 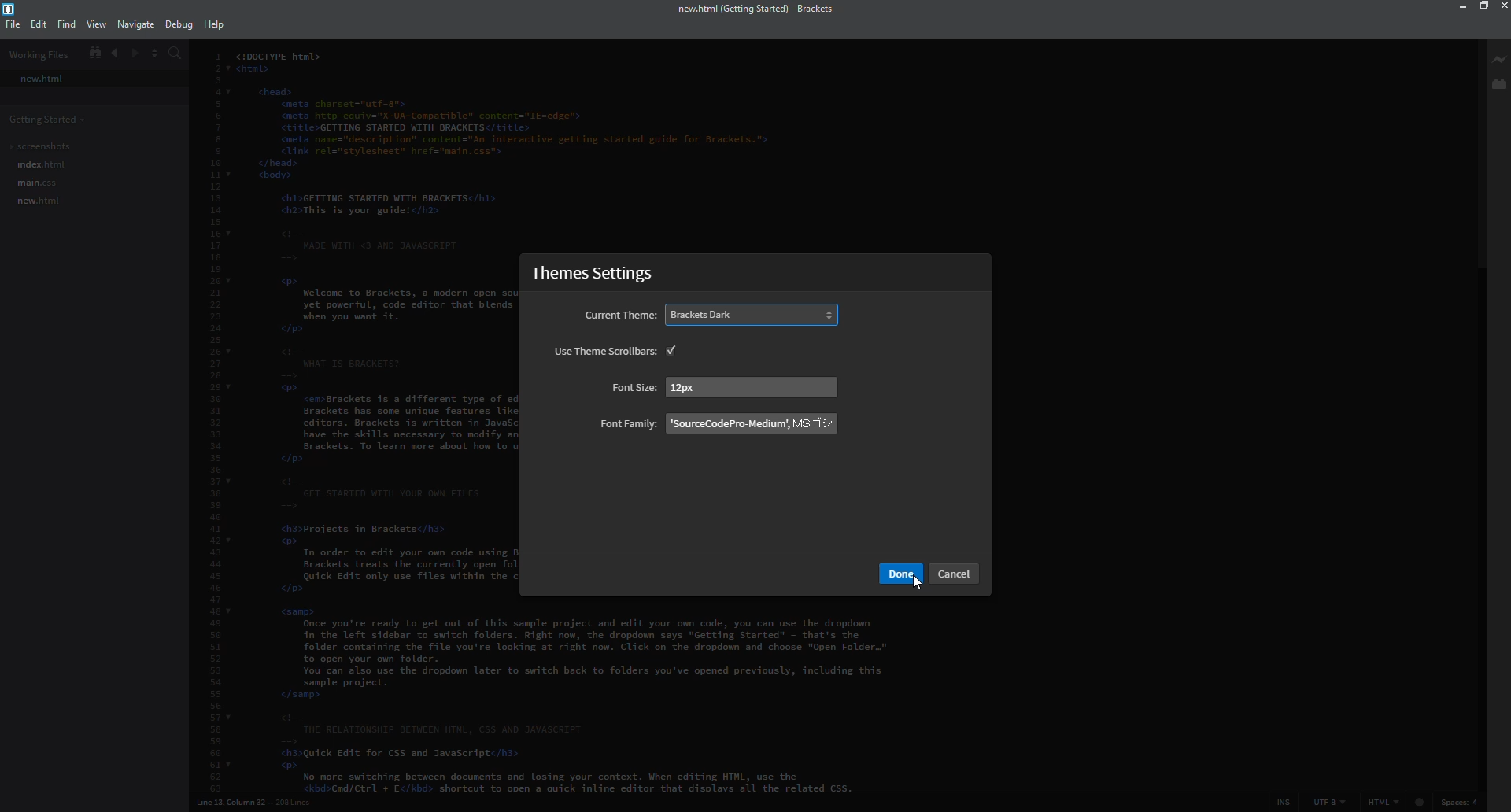 What do you see at coordinates (41, 79) in the screenshot?
I see `new` at bounding box center [41, 79].